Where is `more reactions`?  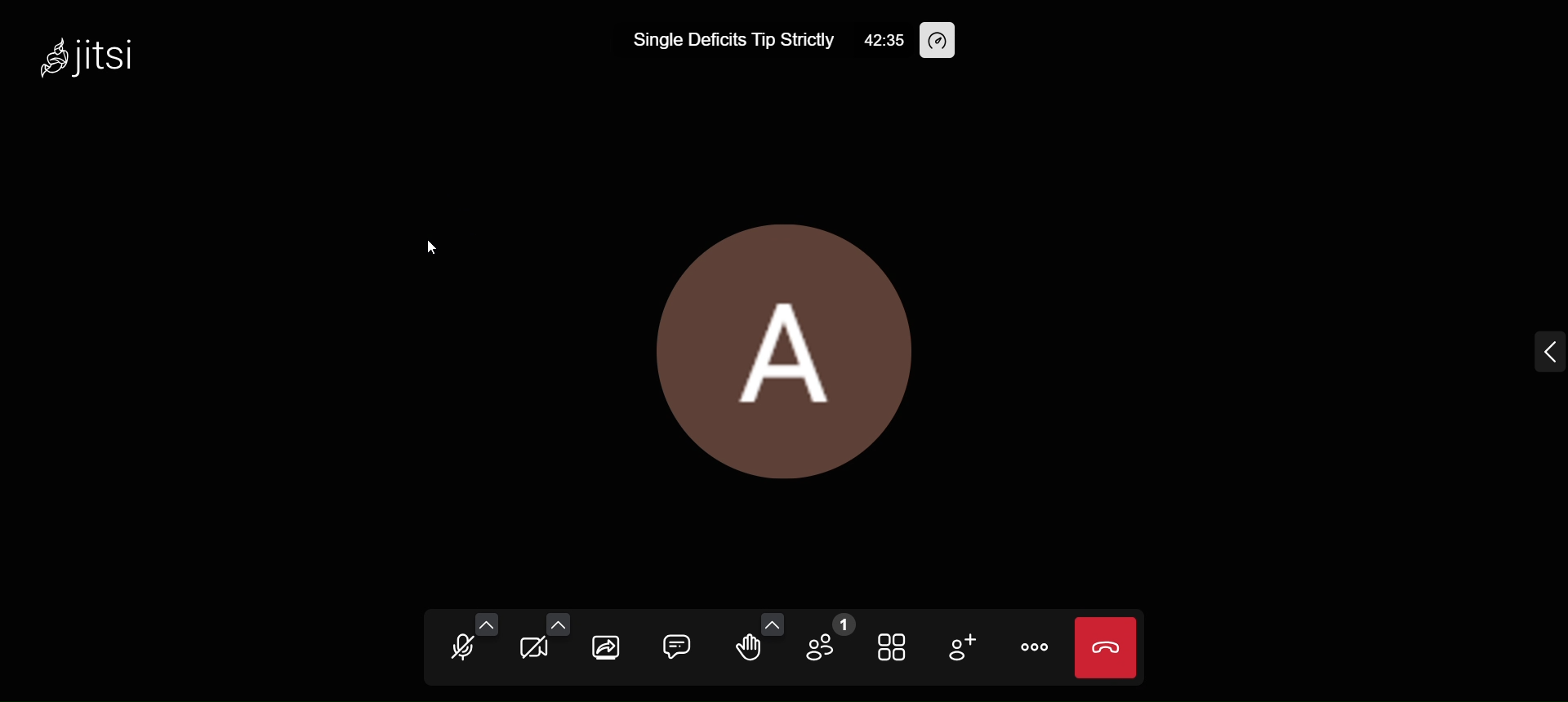 more reactions is located at coordinates (773, 623).